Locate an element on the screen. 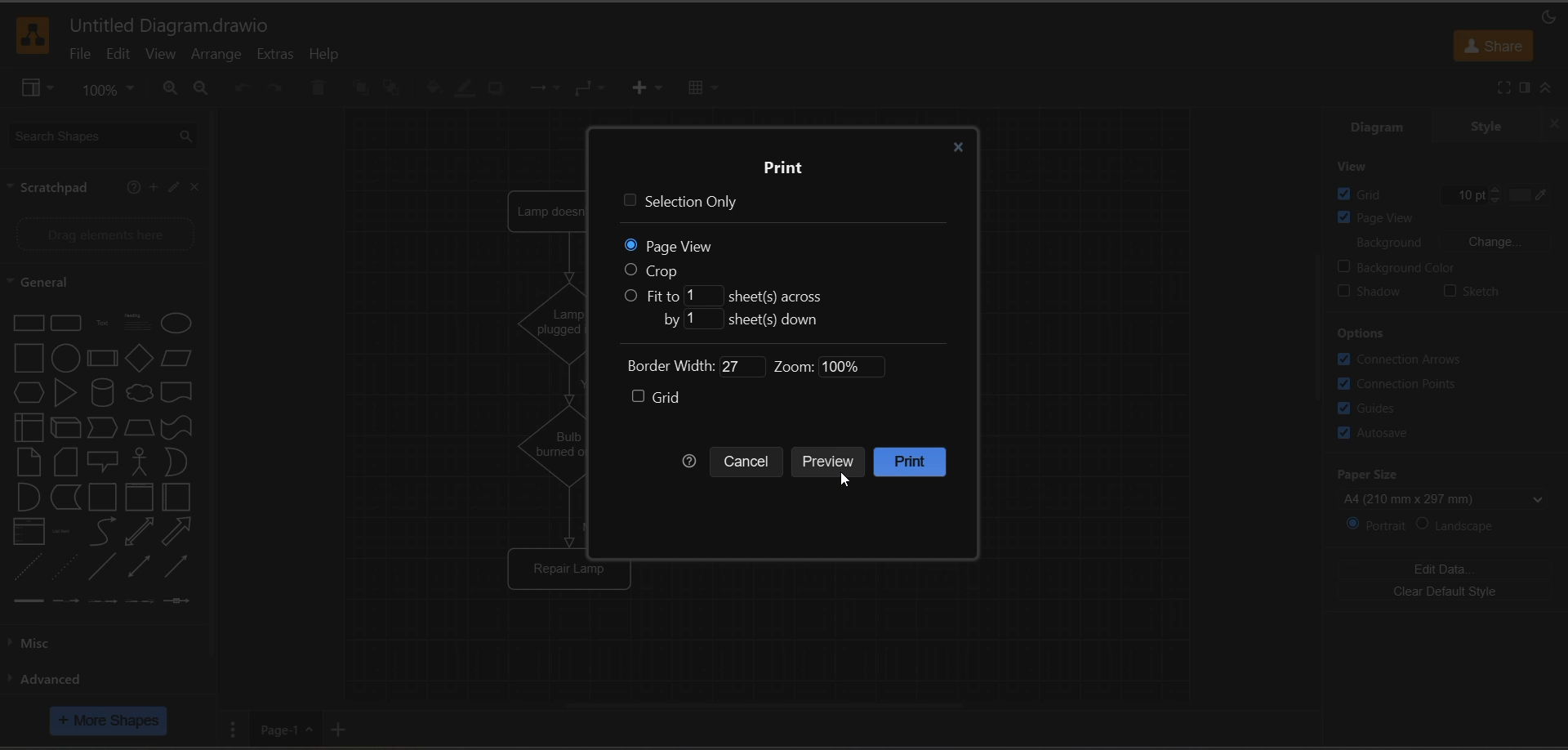 The image size is (1568, 750). format is located at coordinates (1521, 87).